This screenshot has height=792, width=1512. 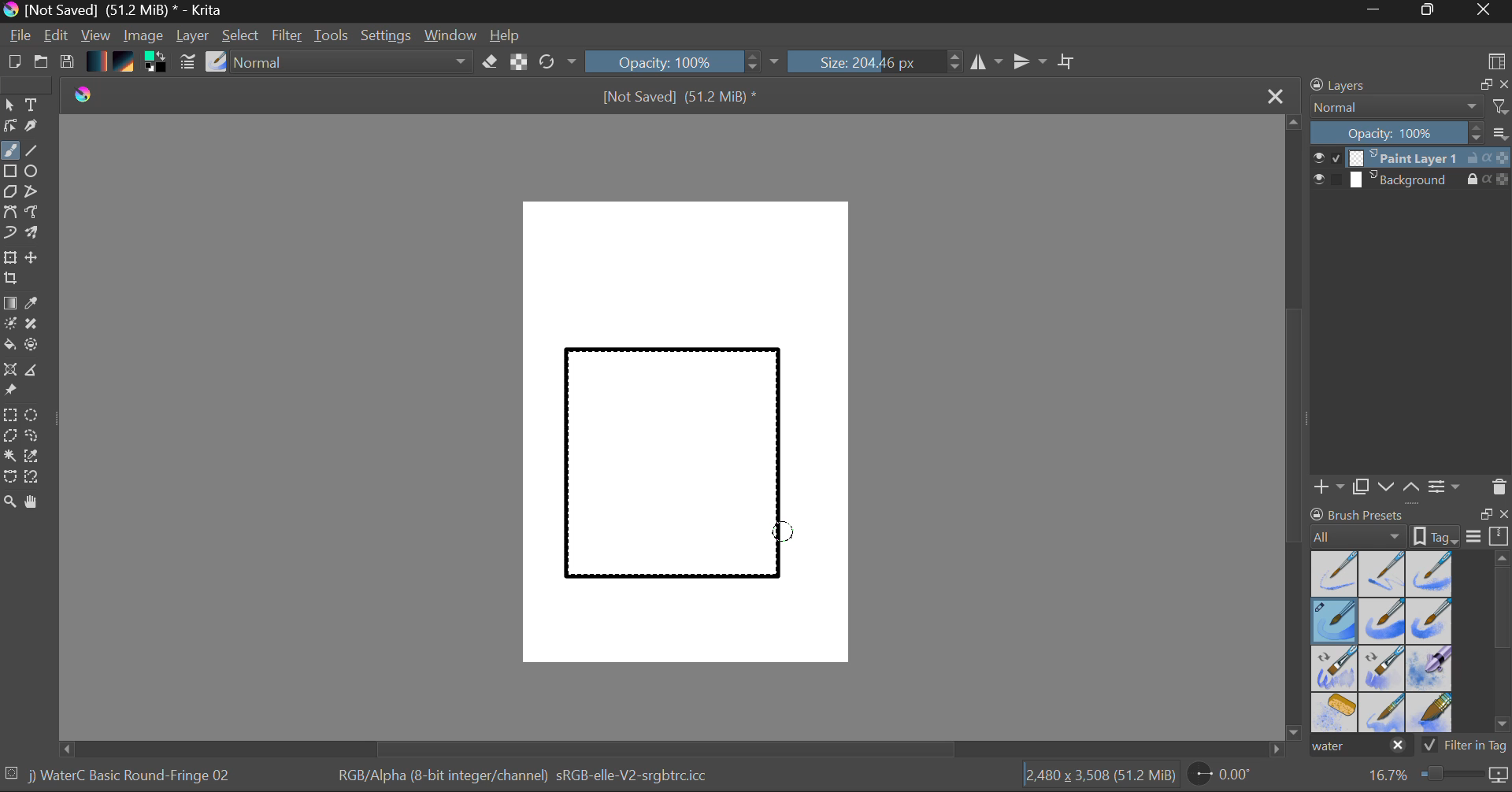 What do you see at coordinates (1383, 622) in the screenshot?
I see `Water C - Grain` at bounding box center [1383, 622].